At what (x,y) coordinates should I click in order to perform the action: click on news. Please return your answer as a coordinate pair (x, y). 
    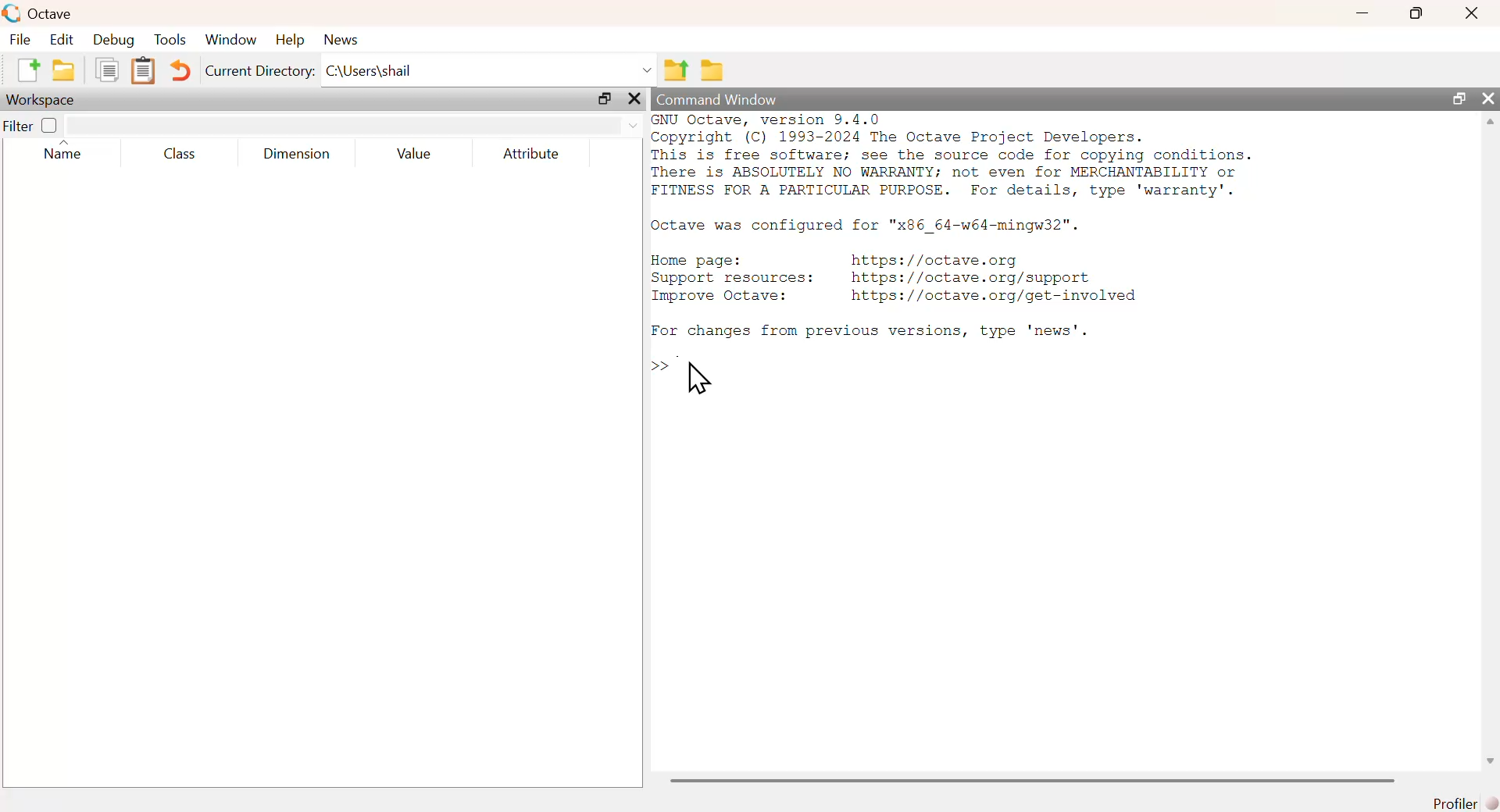
    Looking at the image, I should click on (341, 40).